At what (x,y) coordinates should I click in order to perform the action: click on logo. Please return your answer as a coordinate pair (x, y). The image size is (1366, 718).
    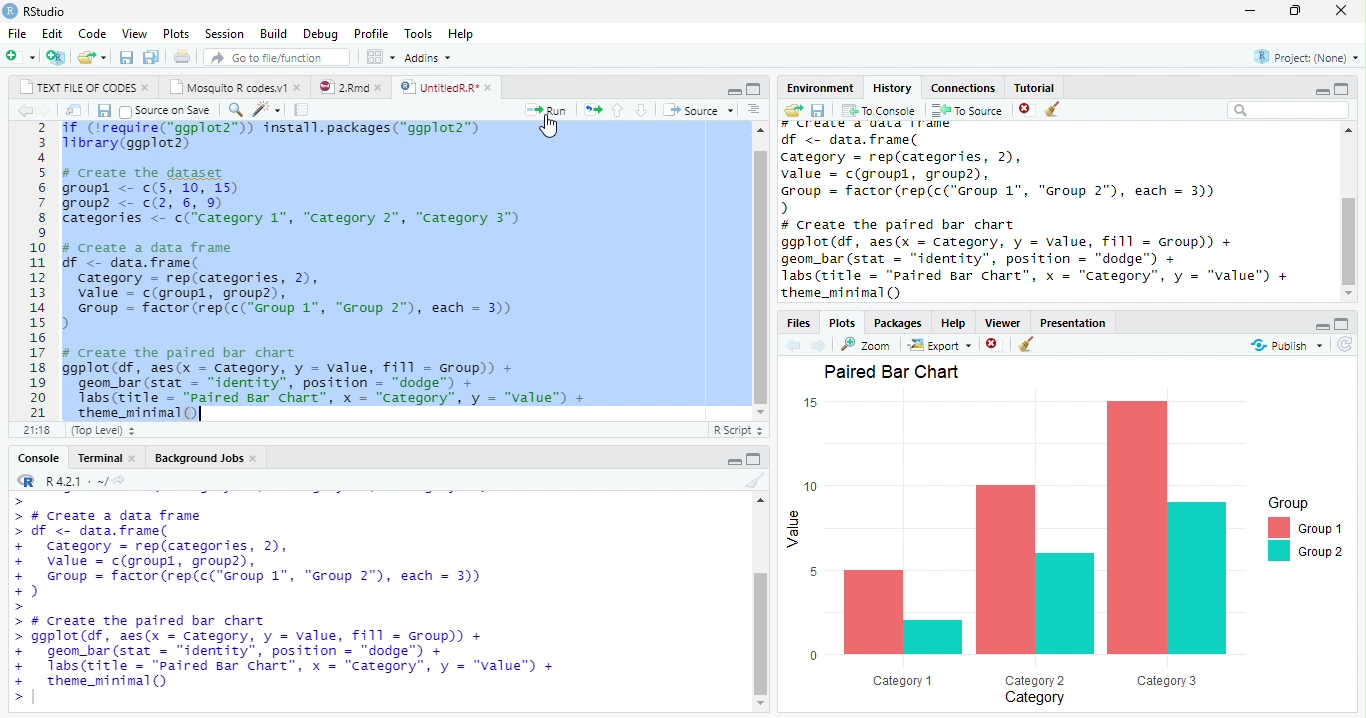
    Looking at the image, I should click on (26, 480).